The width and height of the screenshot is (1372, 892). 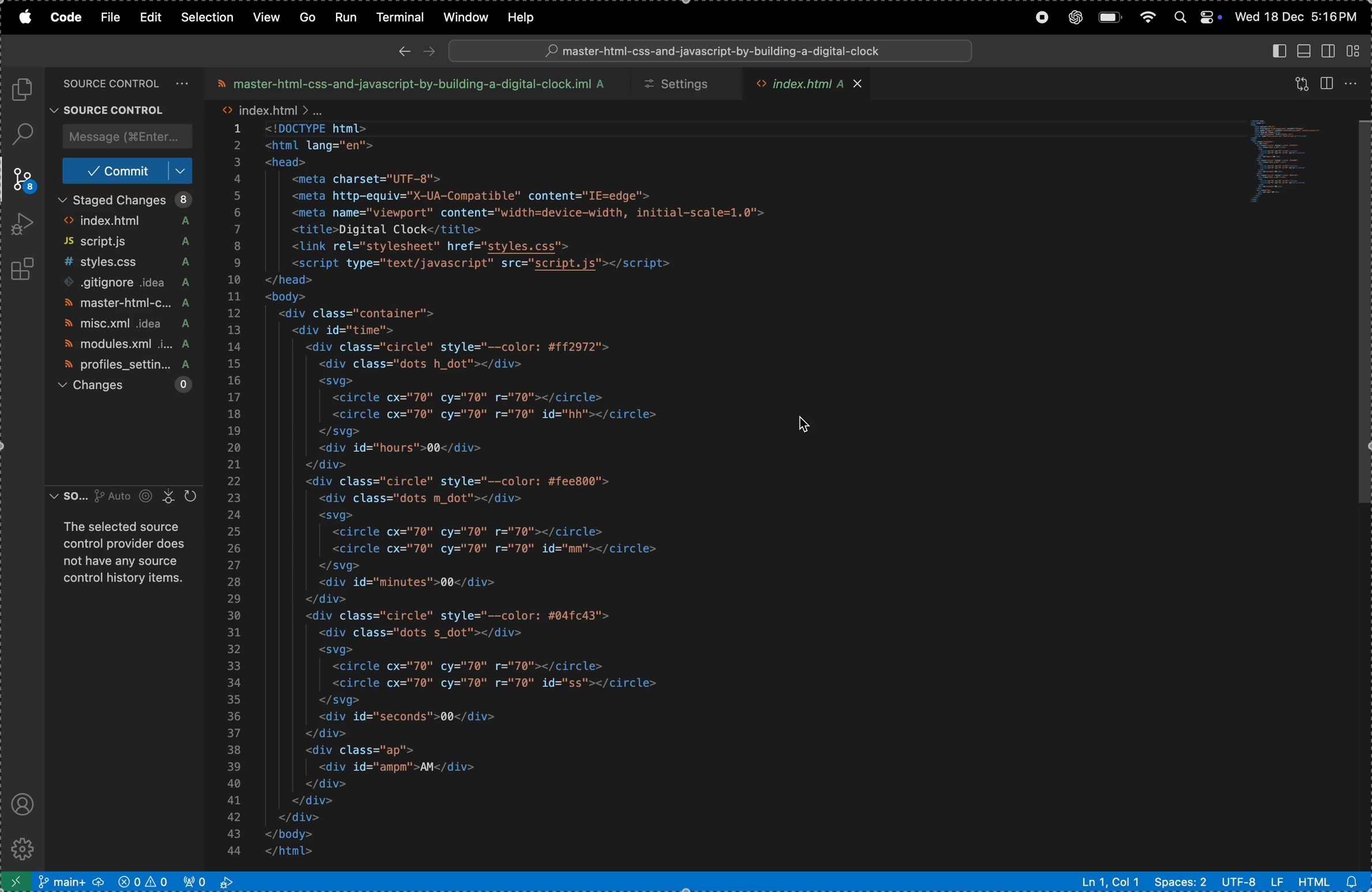 What do you see at coordinates (21, 181) in the screenshot?
I see `source control` at bounding box center [21, 181].